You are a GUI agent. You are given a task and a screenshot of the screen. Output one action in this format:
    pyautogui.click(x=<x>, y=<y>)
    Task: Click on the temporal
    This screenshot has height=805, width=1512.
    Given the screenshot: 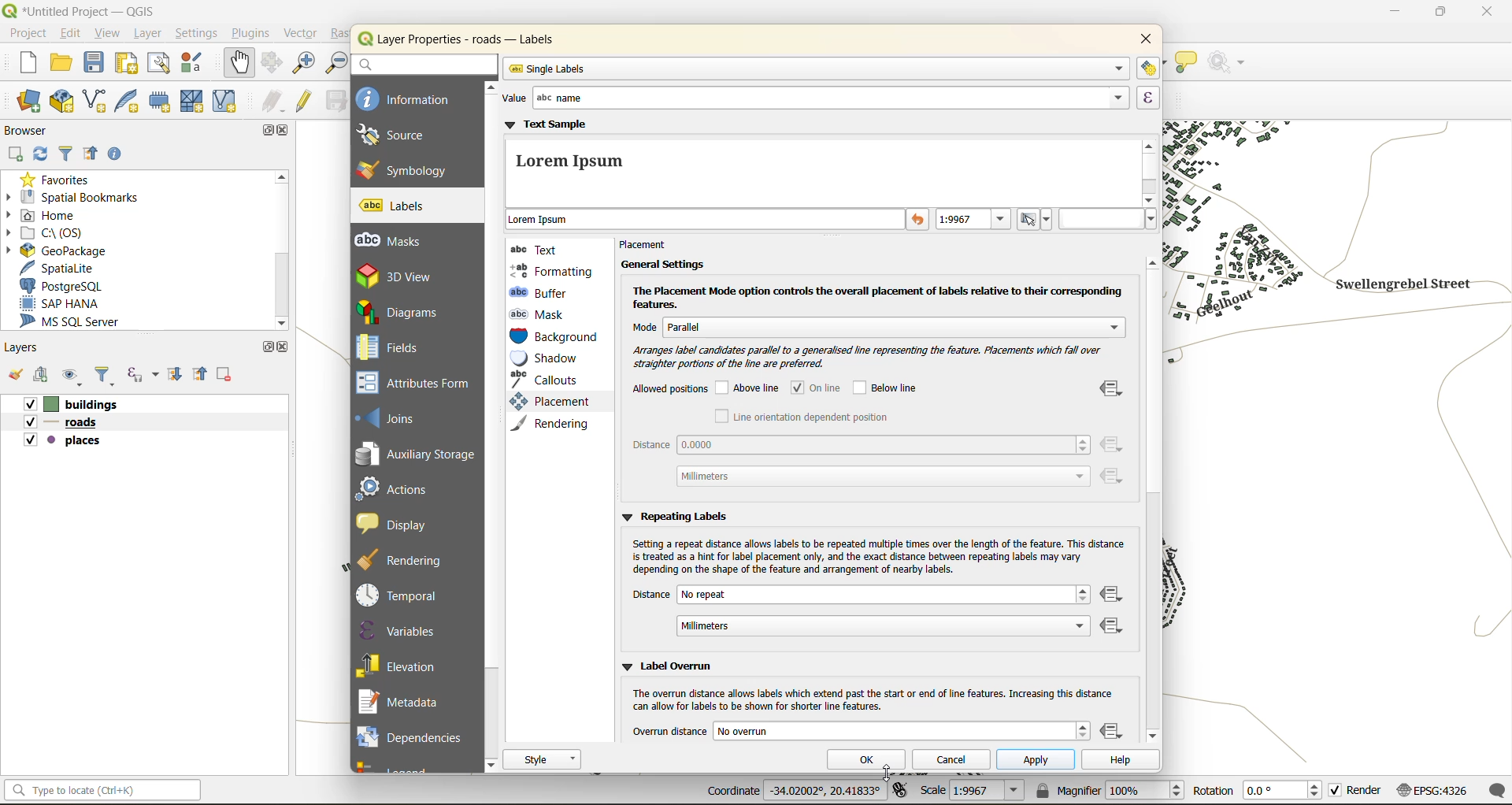 What is the action you would take?
    pyautogui.click(x=402, y=595)
    